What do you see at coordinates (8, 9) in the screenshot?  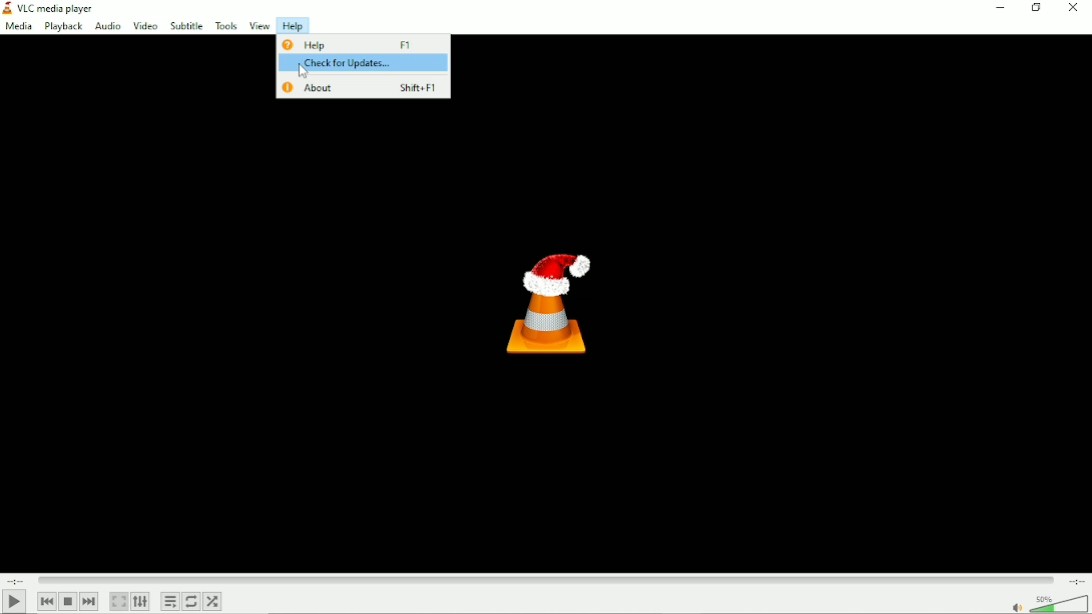 I see `` at bounding box center [8, 9].